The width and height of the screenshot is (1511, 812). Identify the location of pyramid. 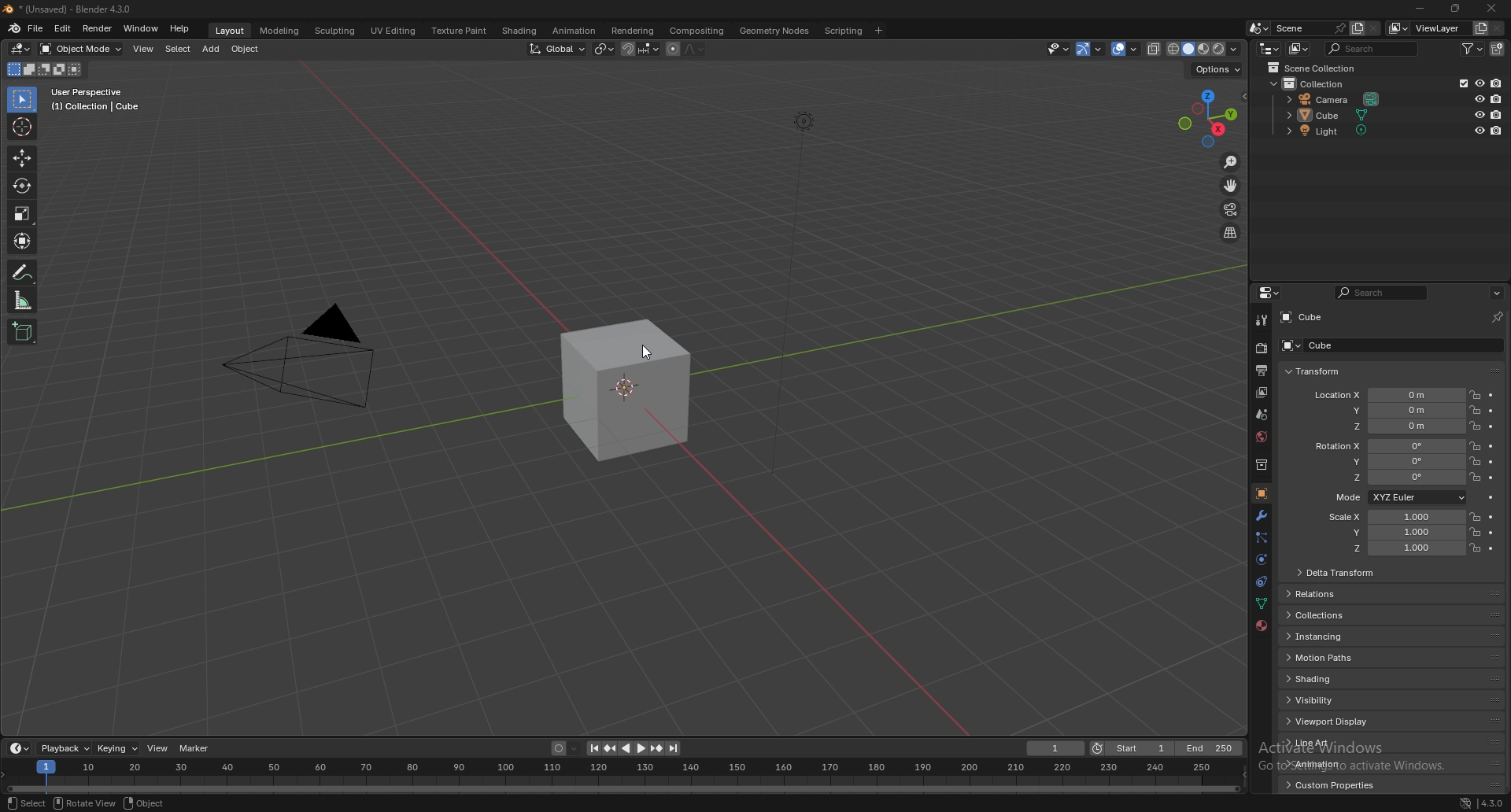
(304, 369).